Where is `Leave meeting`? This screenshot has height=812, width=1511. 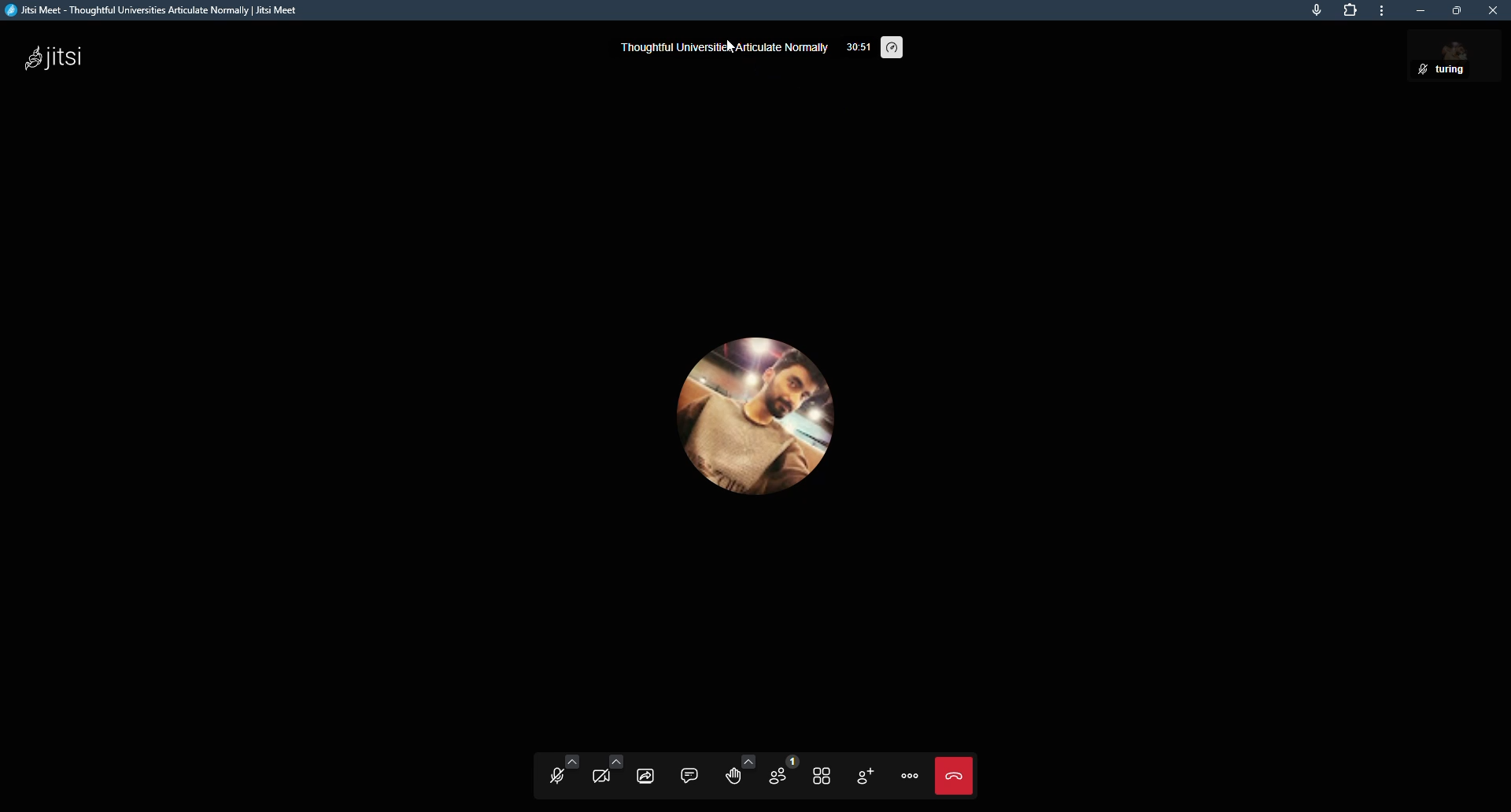 Leave meeting is located at coordinates (955, 775).